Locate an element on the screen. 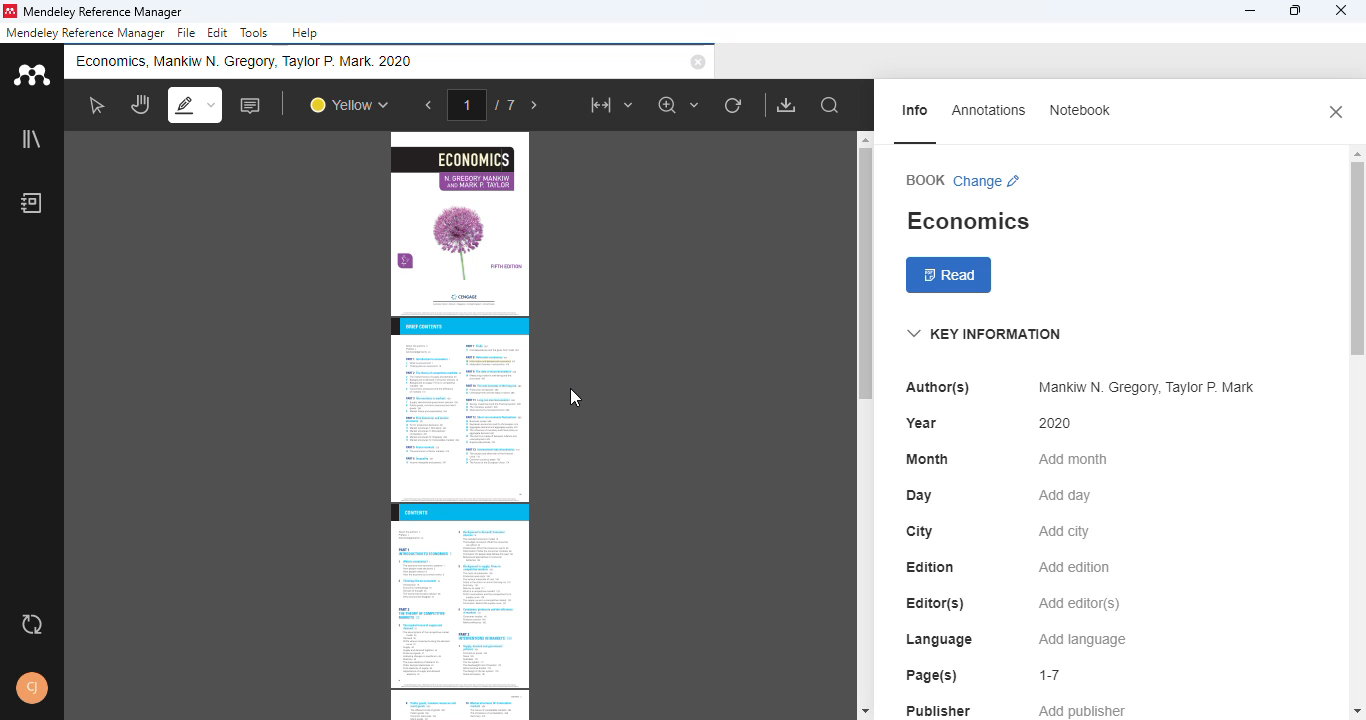 The height and width of the screenshot is (720, 1366). add language is located at coordinates (1083, 640).